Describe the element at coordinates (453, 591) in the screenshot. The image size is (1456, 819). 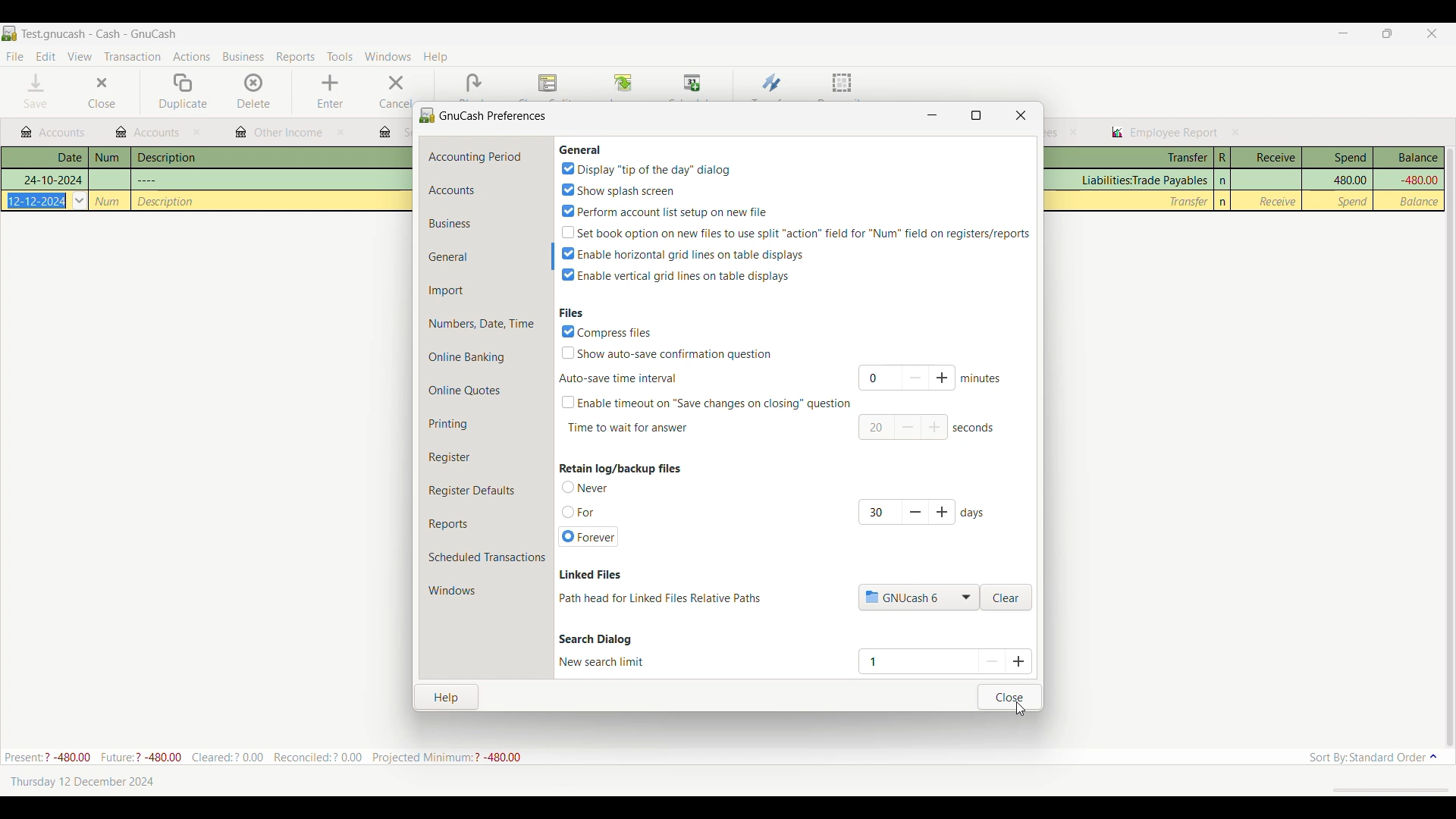
I see `Windows` at that location.